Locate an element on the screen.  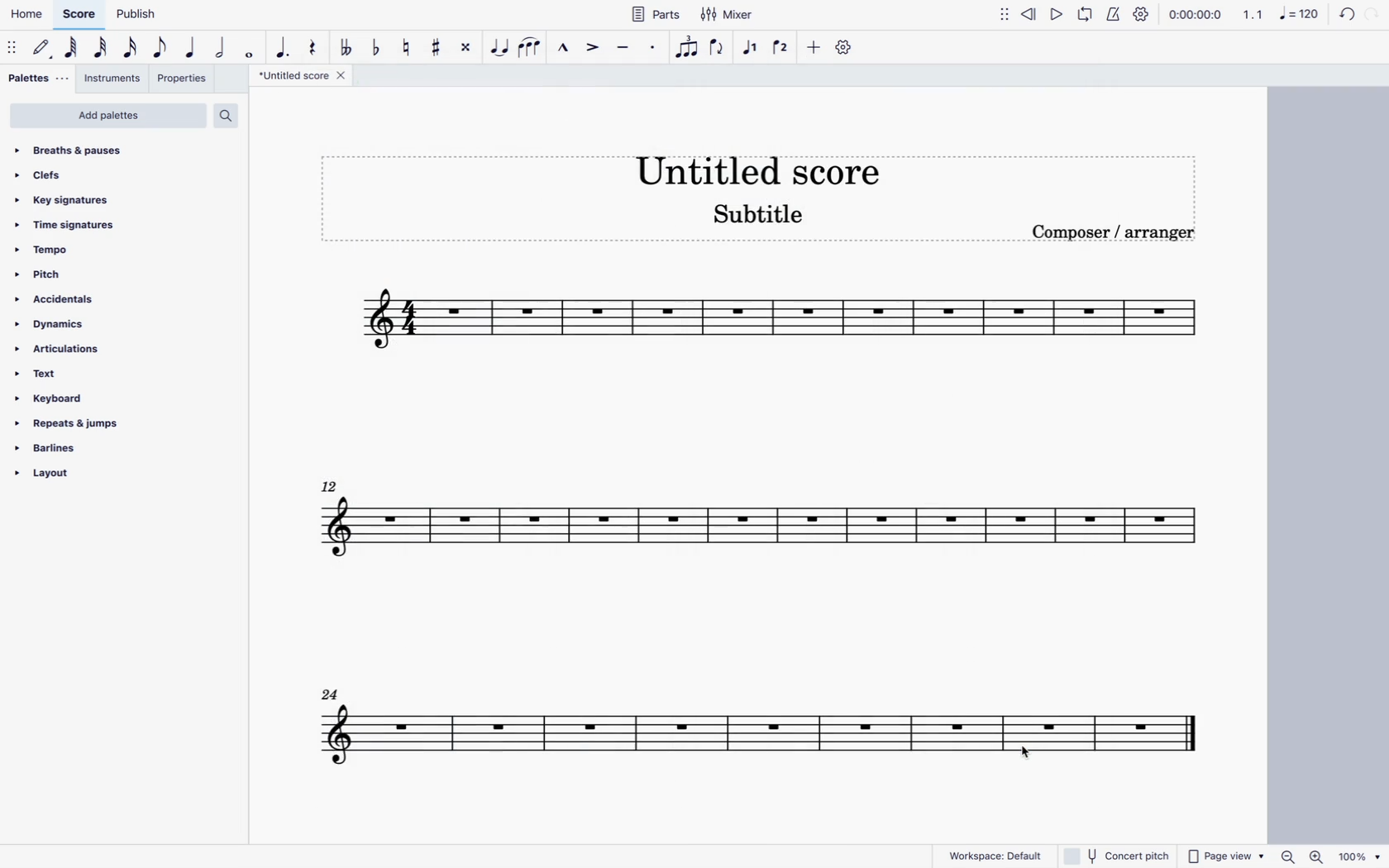
voice 2 is located at coordinates (782, 48).